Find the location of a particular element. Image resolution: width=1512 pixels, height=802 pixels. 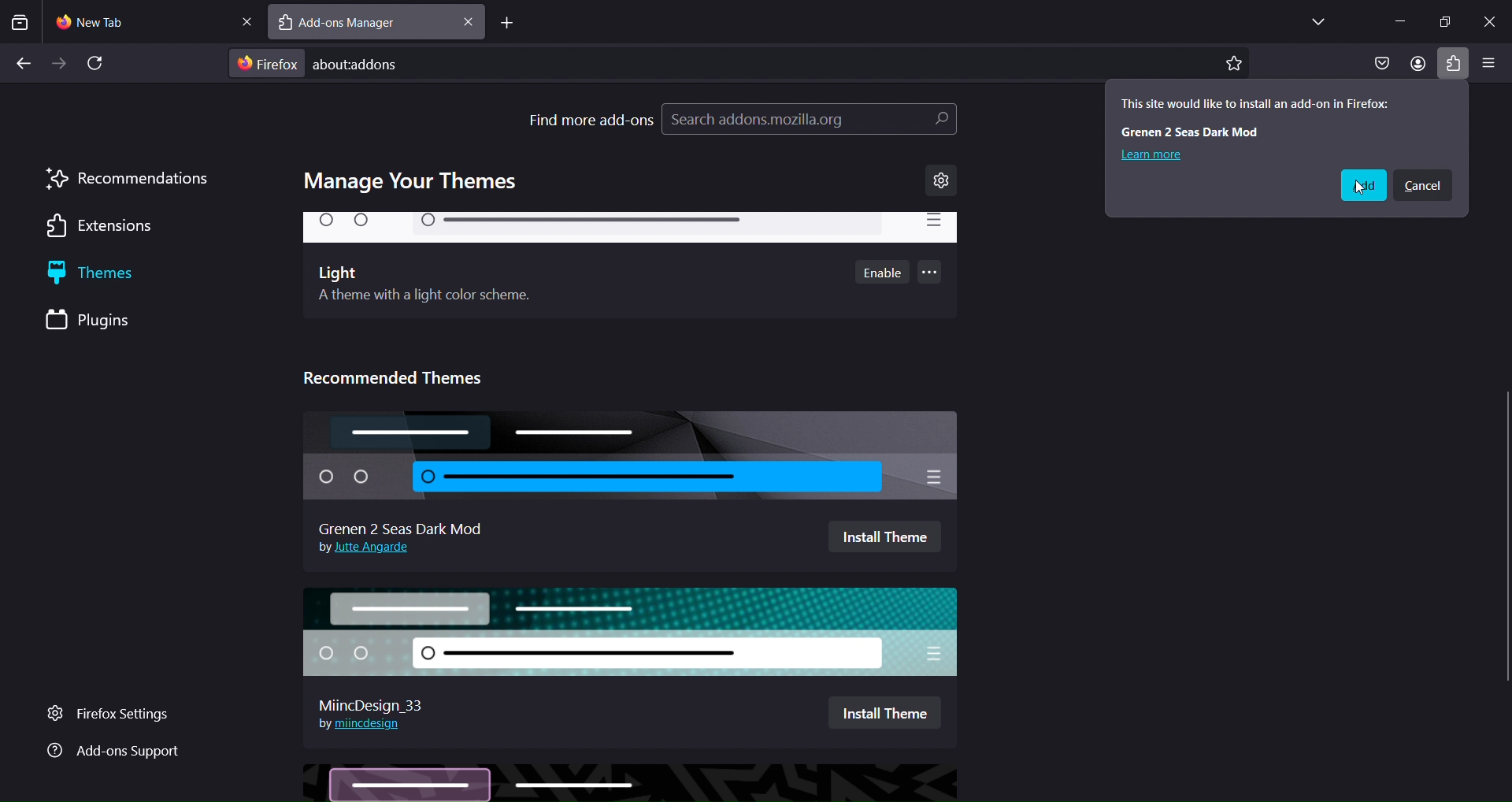

add ons support is located at coordinates (113, 752).